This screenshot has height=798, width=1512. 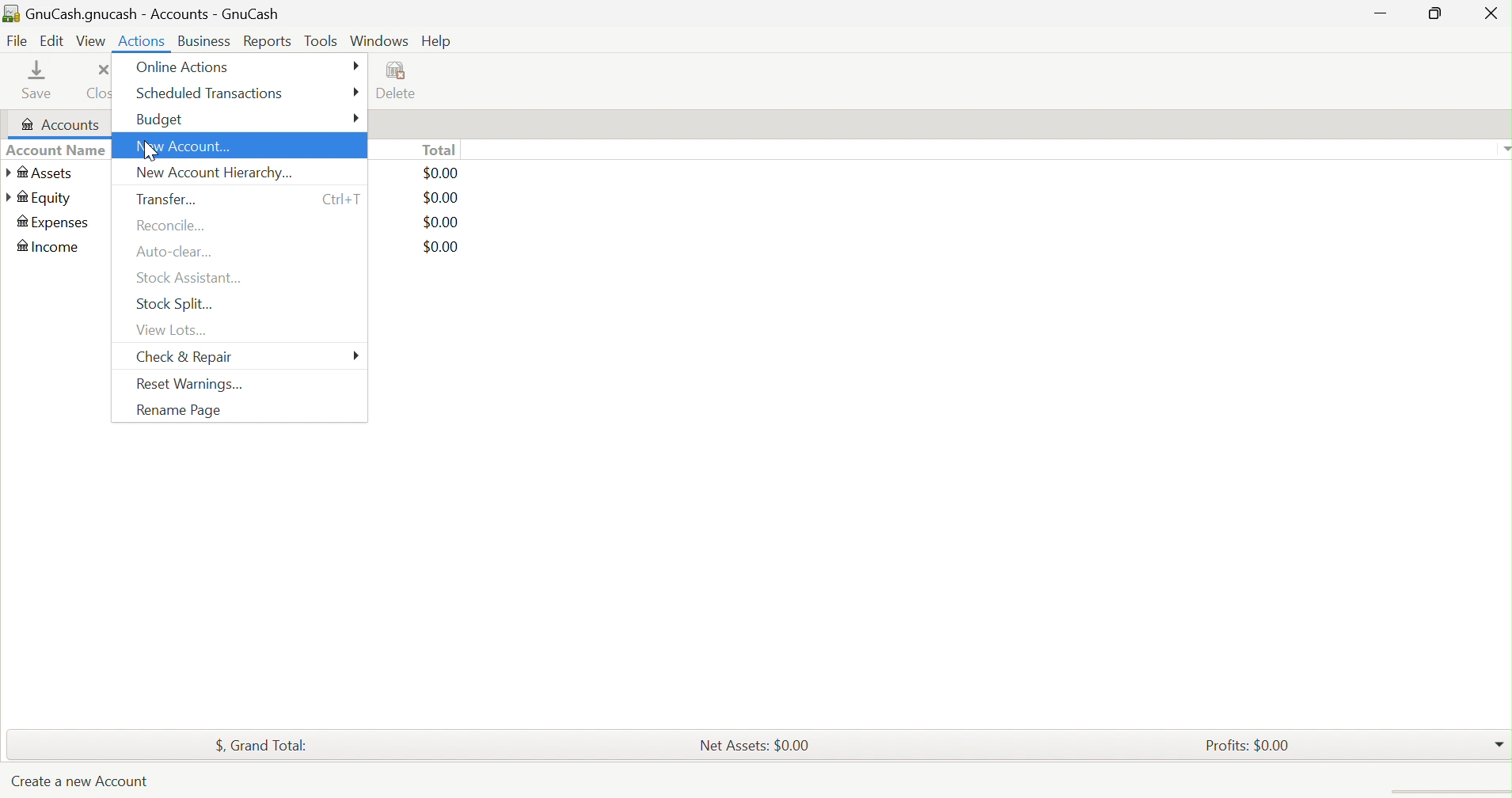 I want to click on cursor, so click(x=151, y=154).